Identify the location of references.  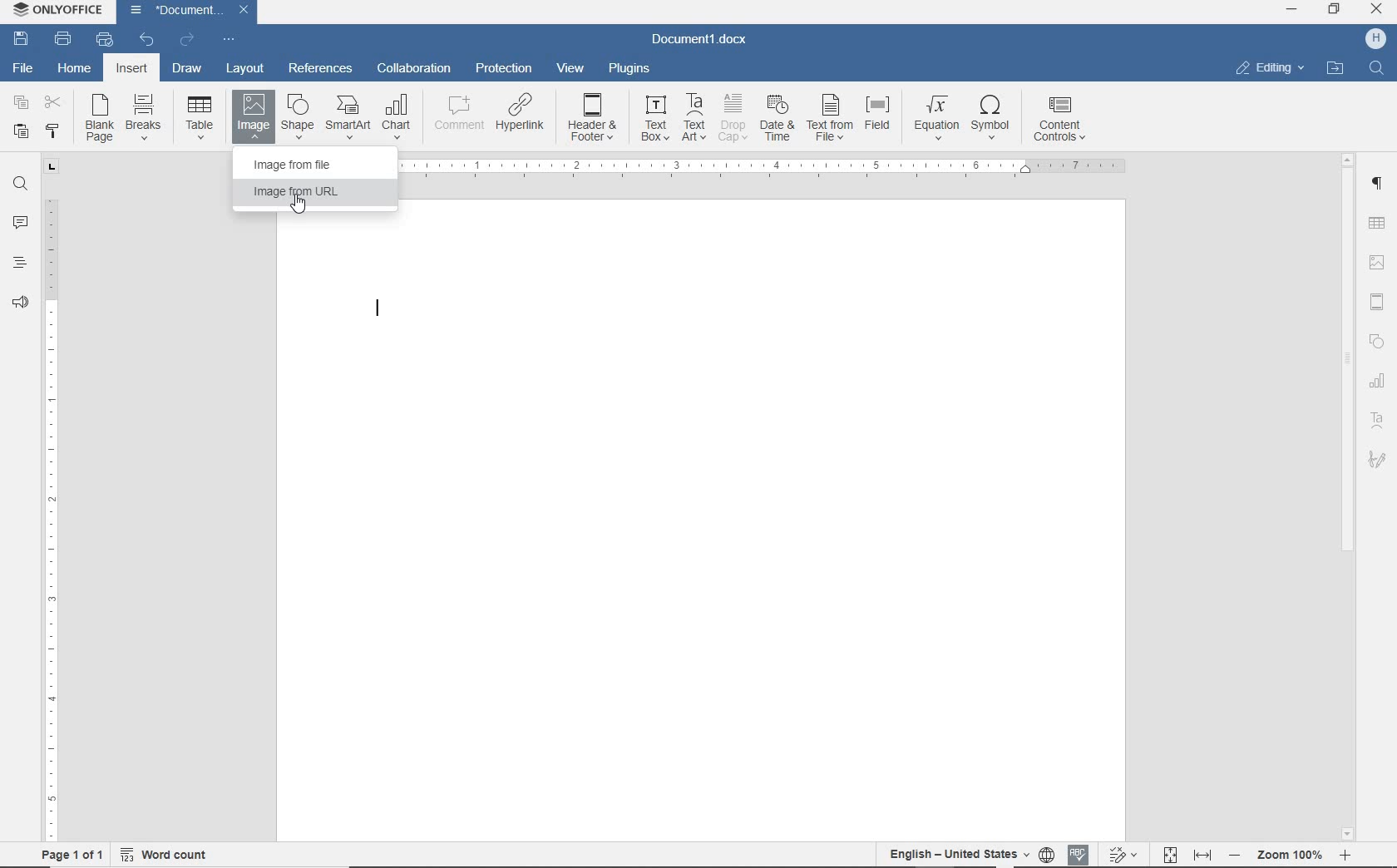
(322, 69).